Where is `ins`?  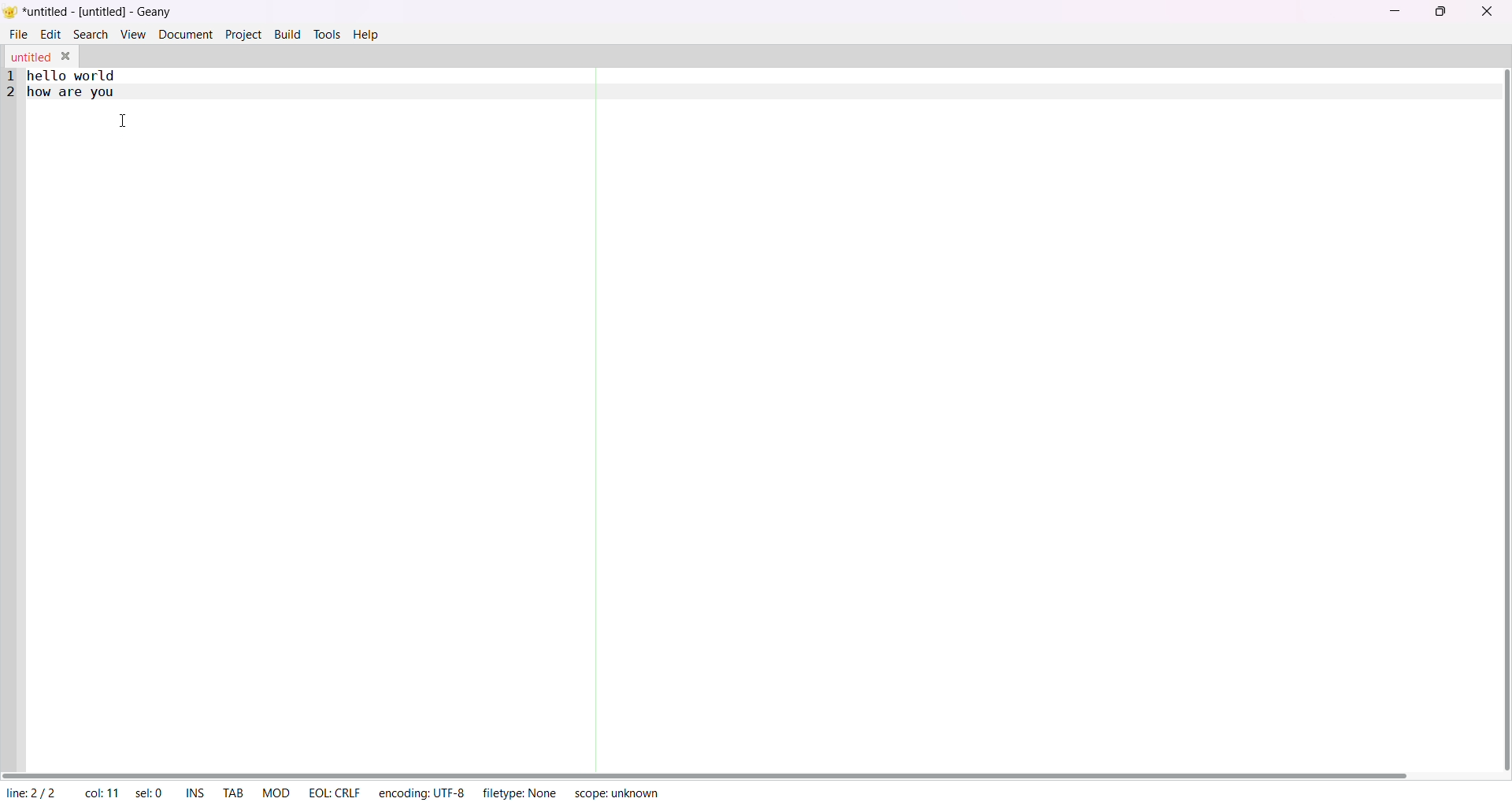 ins is located at coordinates (195, 793).